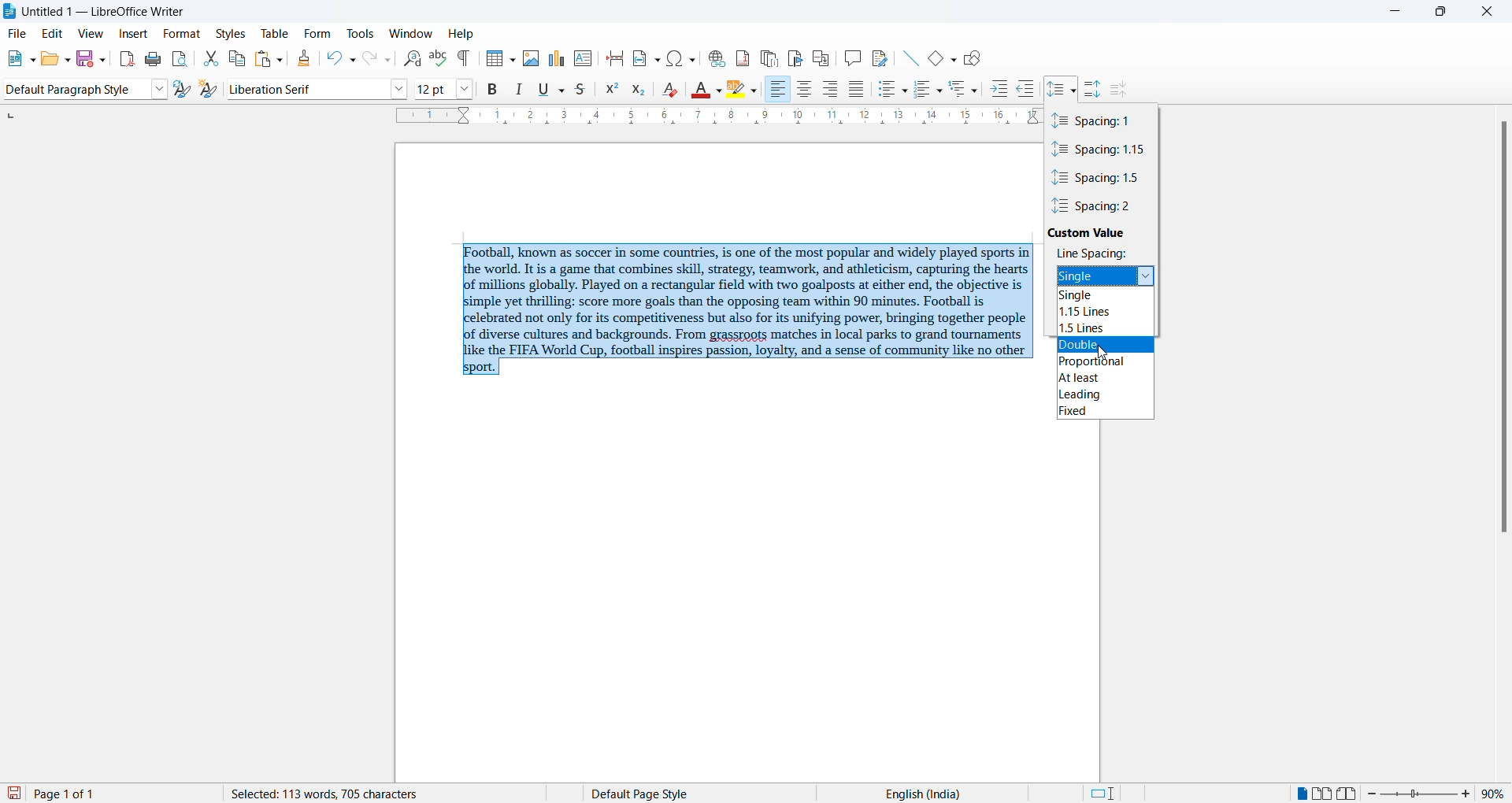  Describe the element at coordinates (1373, 794) in the screenshot. I see `decrease zoom` at that location.